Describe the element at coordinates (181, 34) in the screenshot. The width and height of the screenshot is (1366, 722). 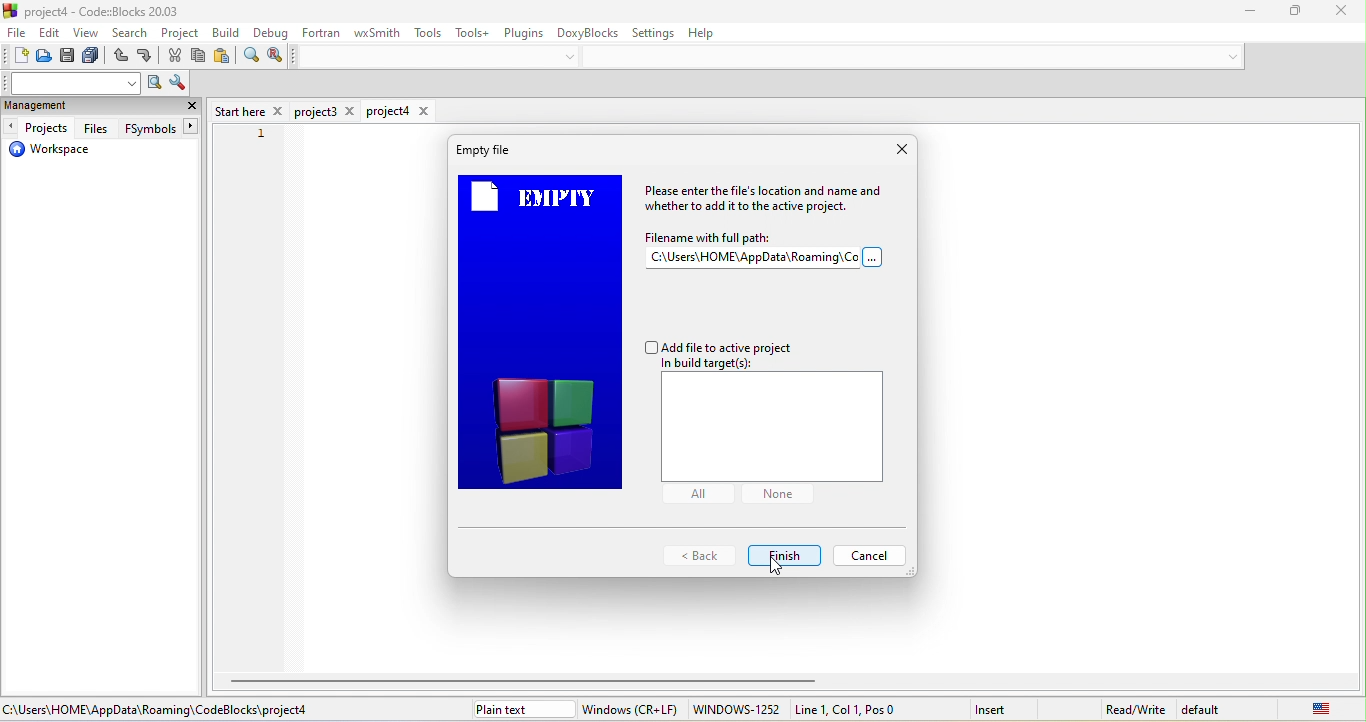
I see `project` at that location.